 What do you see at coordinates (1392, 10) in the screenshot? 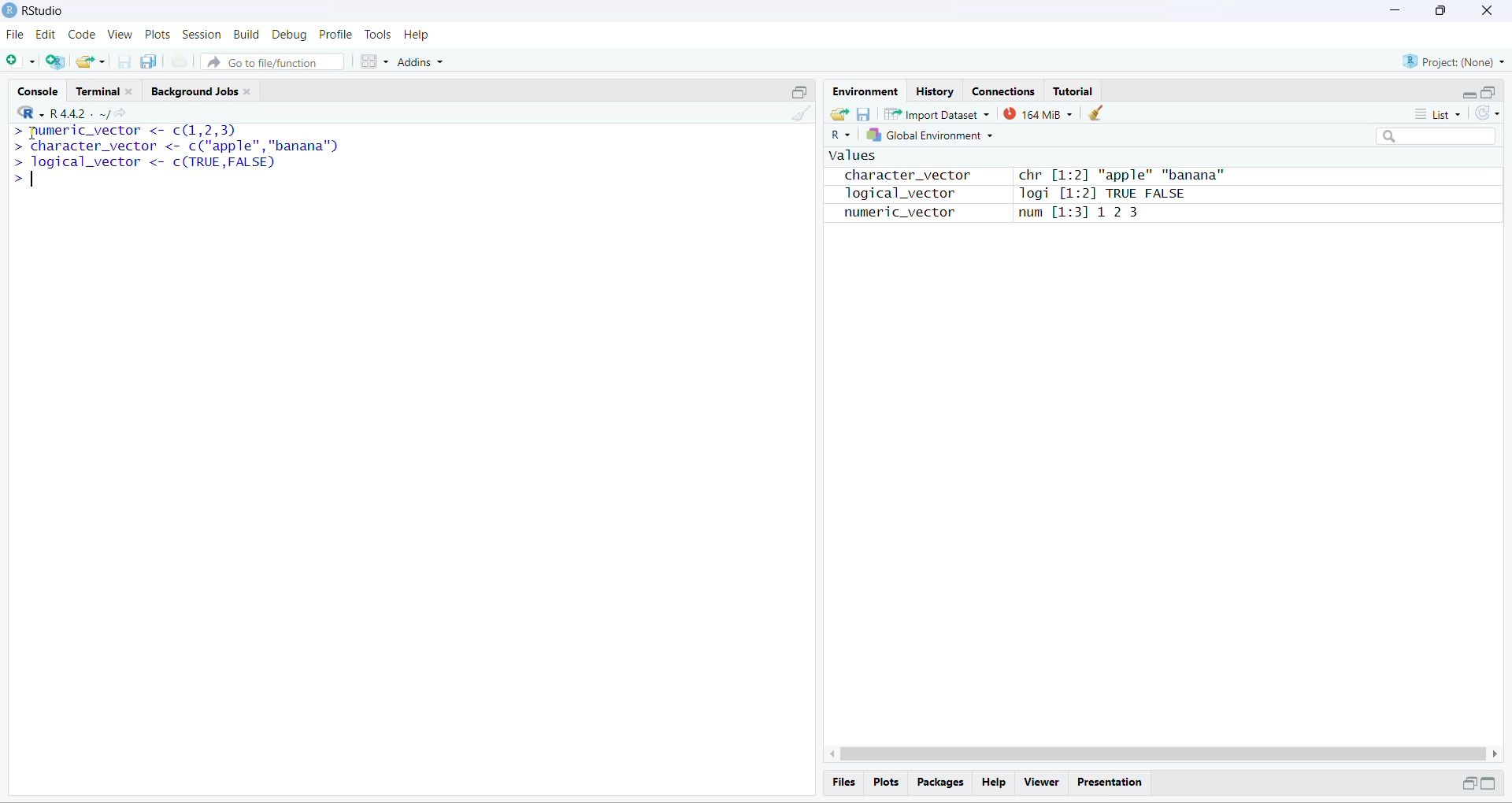
I see `minimize` at bounding box center [1392, 10].